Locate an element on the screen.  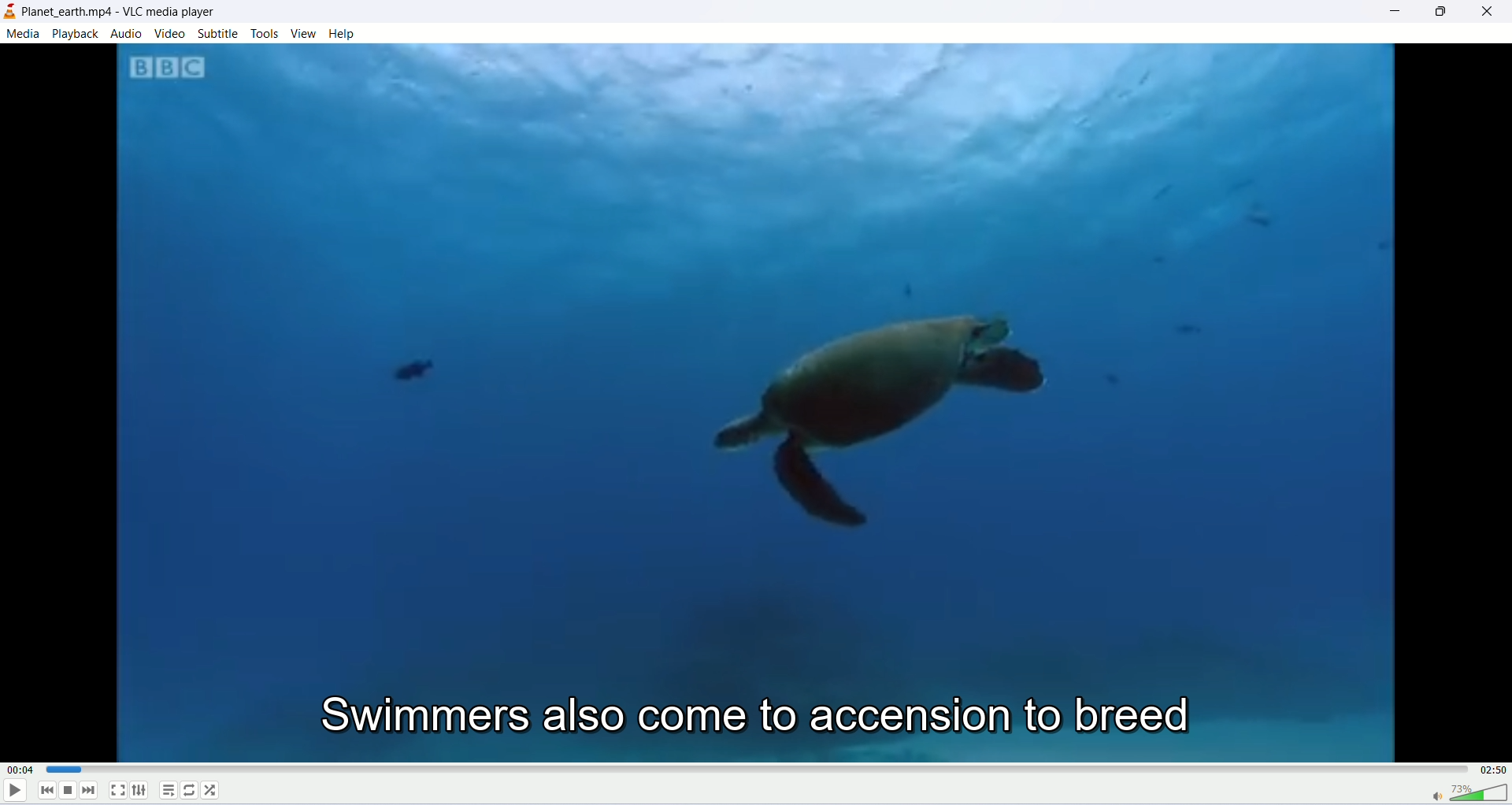
minimize is located at coordinates (1397, 10).